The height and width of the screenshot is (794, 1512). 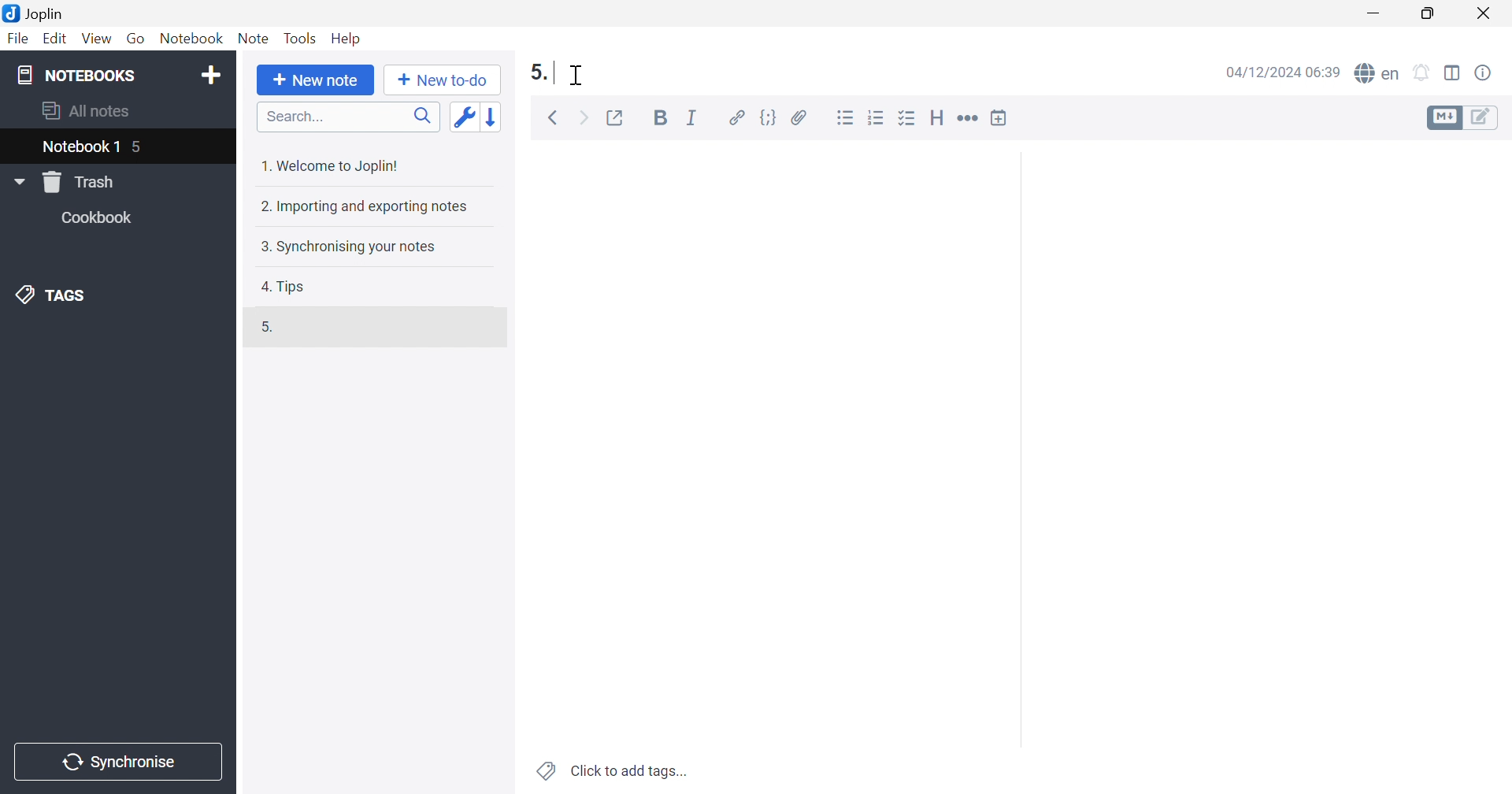 What do you see at coordinates (535, 72) in the screenshot?
I see `5.` at bounding box center [535, 72].